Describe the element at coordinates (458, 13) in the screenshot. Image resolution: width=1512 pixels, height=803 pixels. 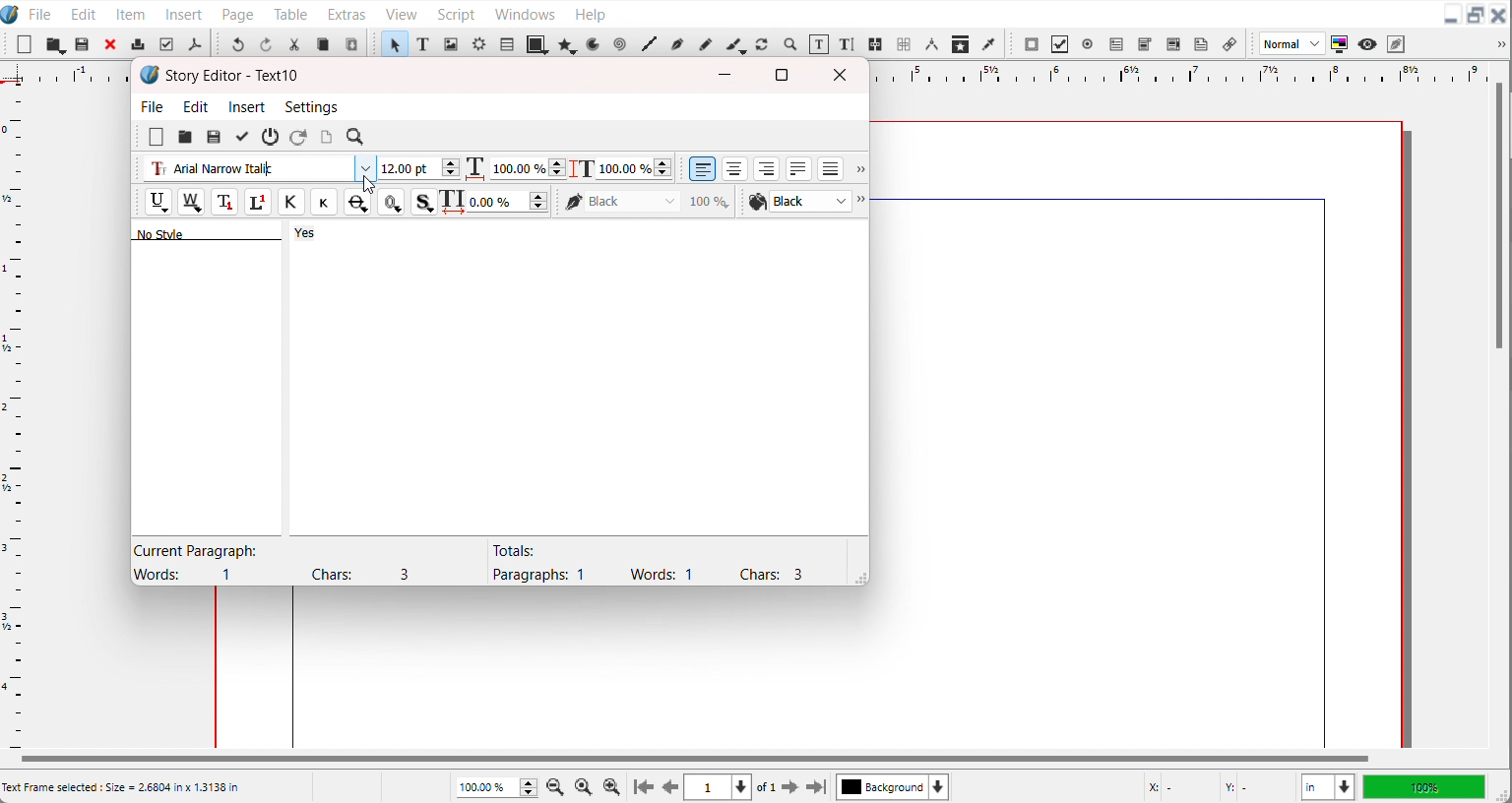
I see `Script` at that location.